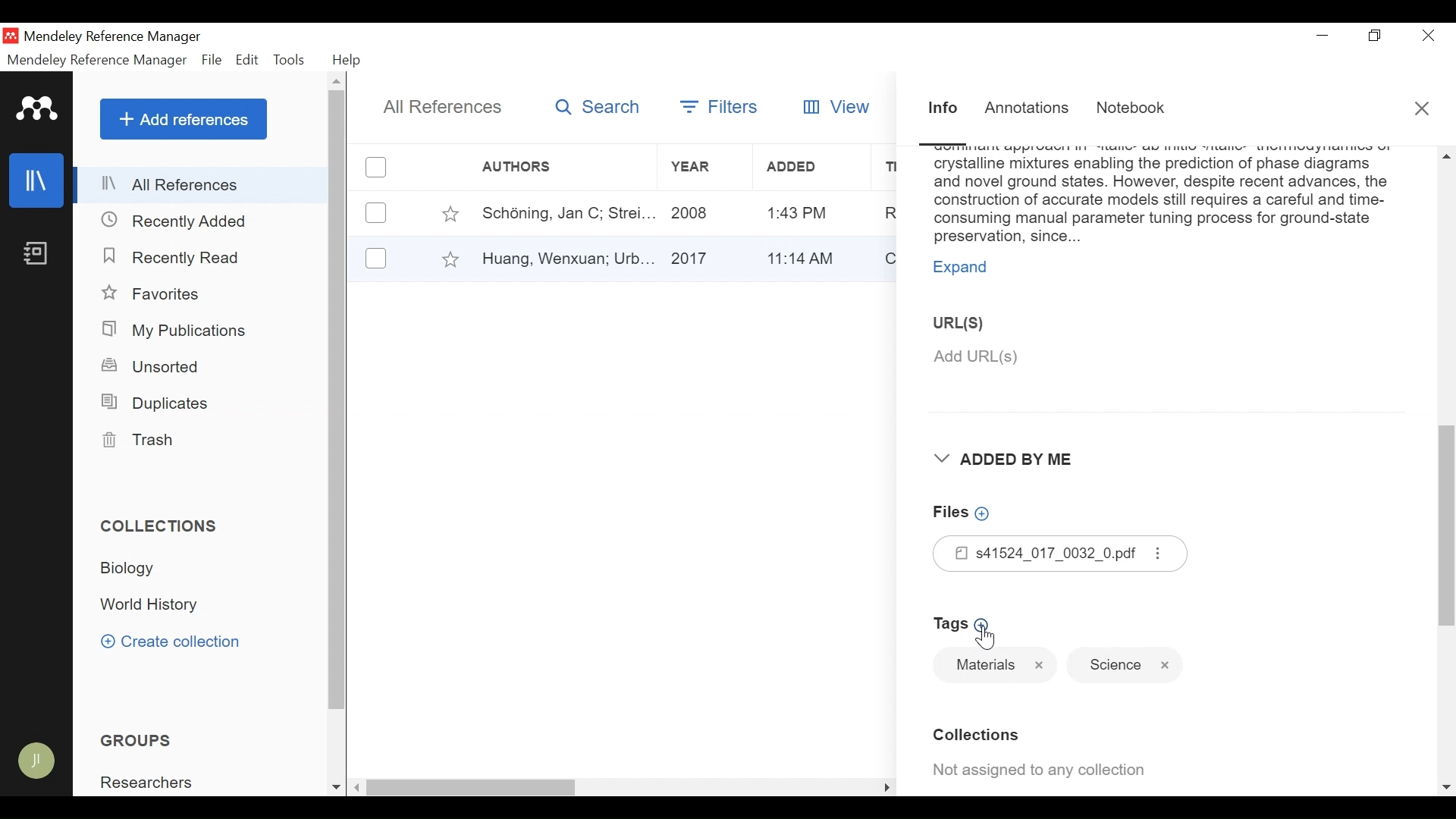 The width and height of the screenshot is (1456, 819). What do you see at coordinates (10, 36) in the screenshot?
I see `Mendeley Desktop Icon` at bounding box center [10, 36].